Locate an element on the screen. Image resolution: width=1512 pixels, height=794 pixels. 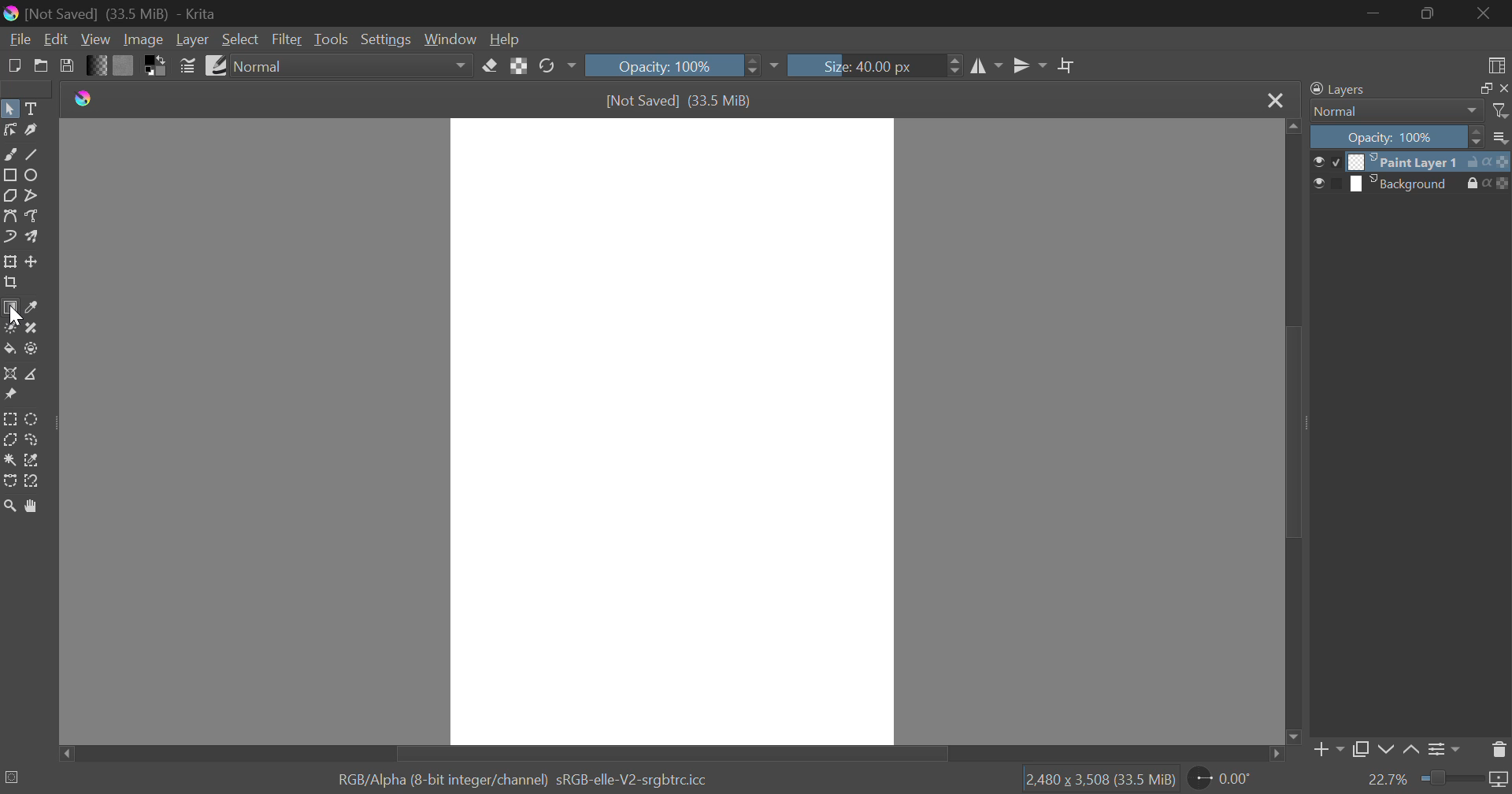
Size: 40.00 px is located at coordinates (876, 64).